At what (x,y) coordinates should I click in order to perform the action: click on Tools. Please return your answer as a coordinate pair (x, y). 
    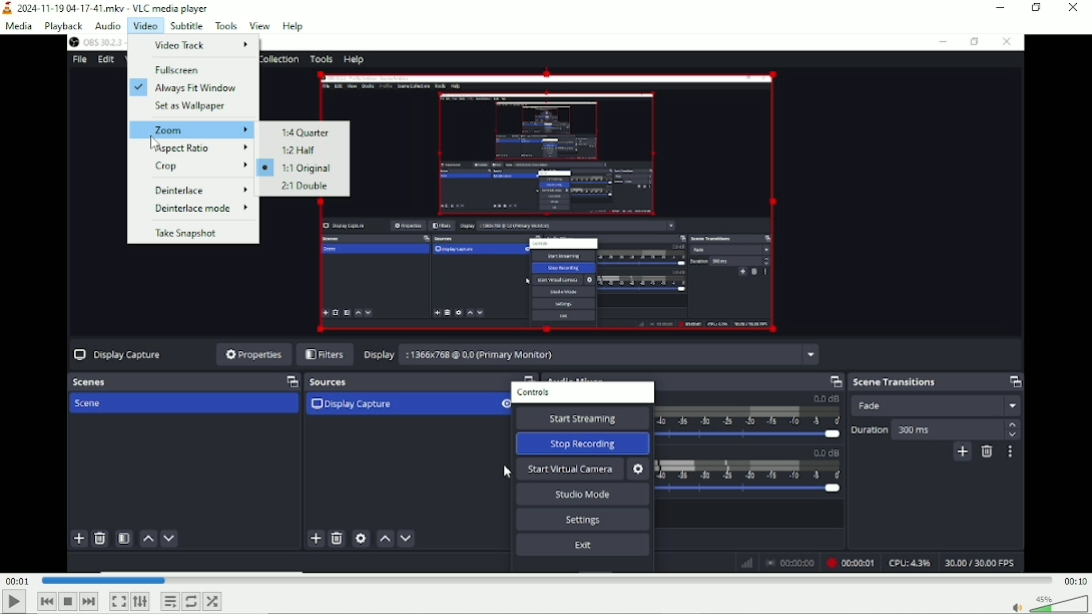
    Looking at the image, I should click on (226, 26).